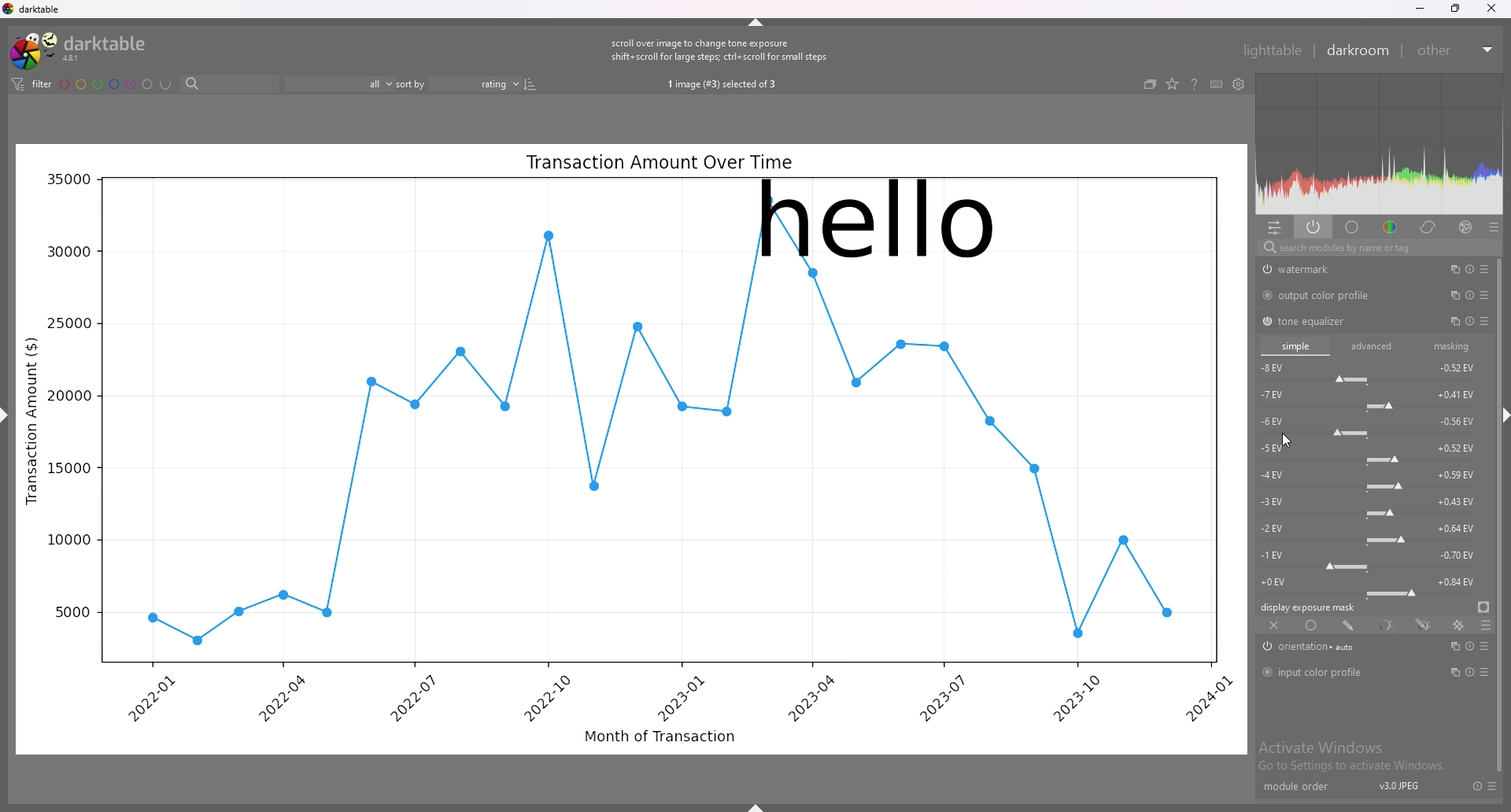 This screenshot has width=1511, height=812. What do you see at coordinates (1313, 625) in the screenshot?
I see `uniformly` at bounding box center [1313, 625].